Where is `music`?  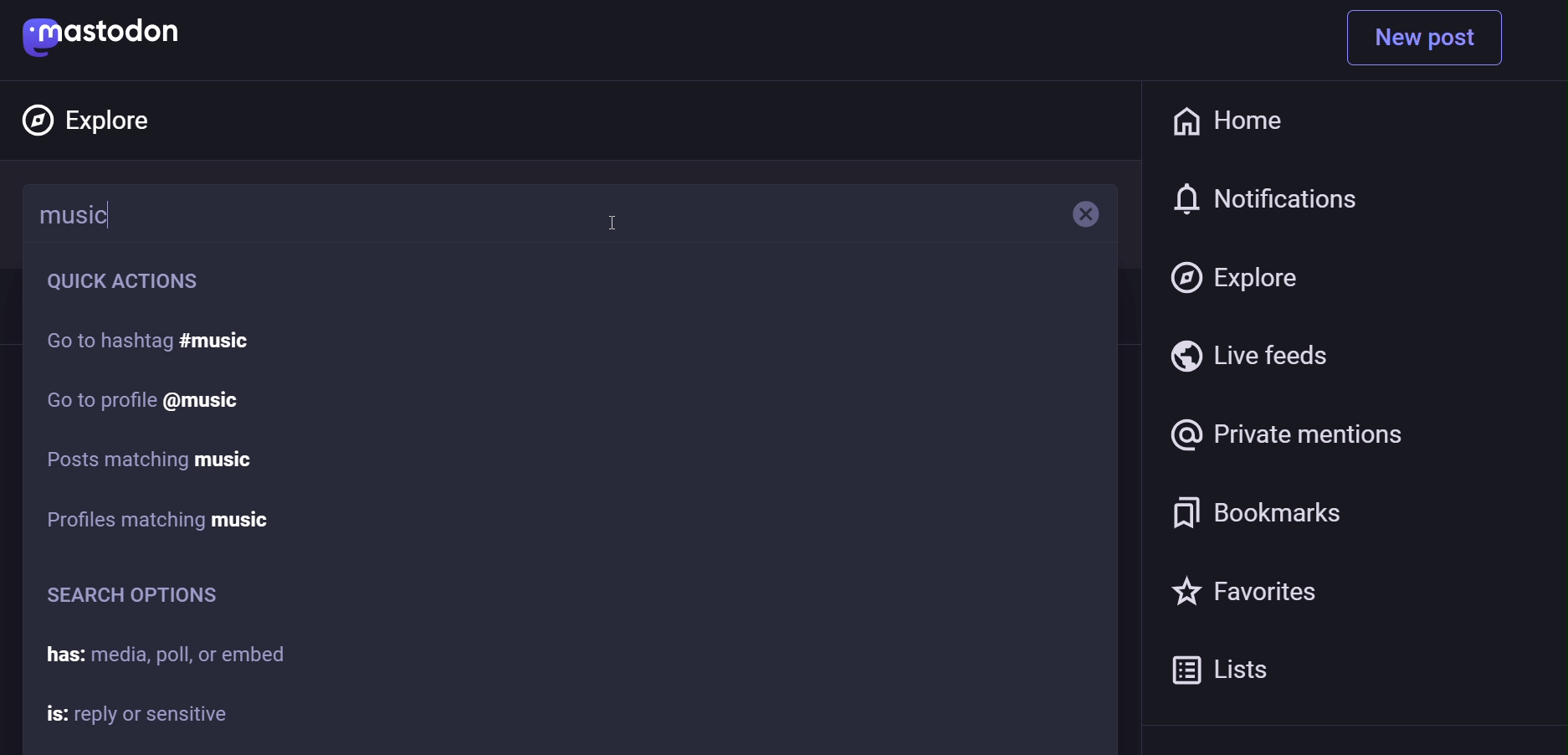 music is located at coordinates (75, 214).